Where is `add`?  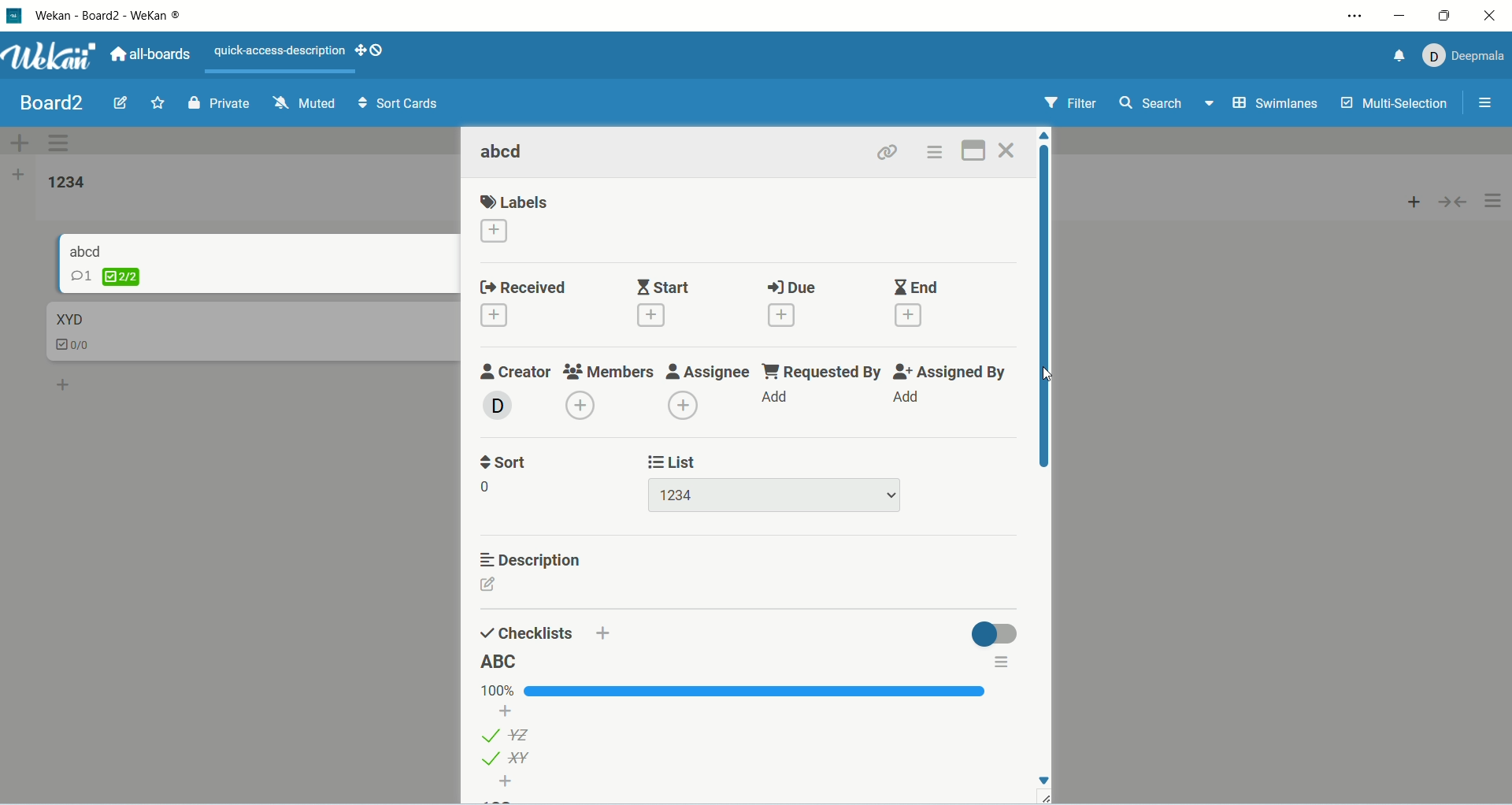
add is located at coordinates (911, 316).